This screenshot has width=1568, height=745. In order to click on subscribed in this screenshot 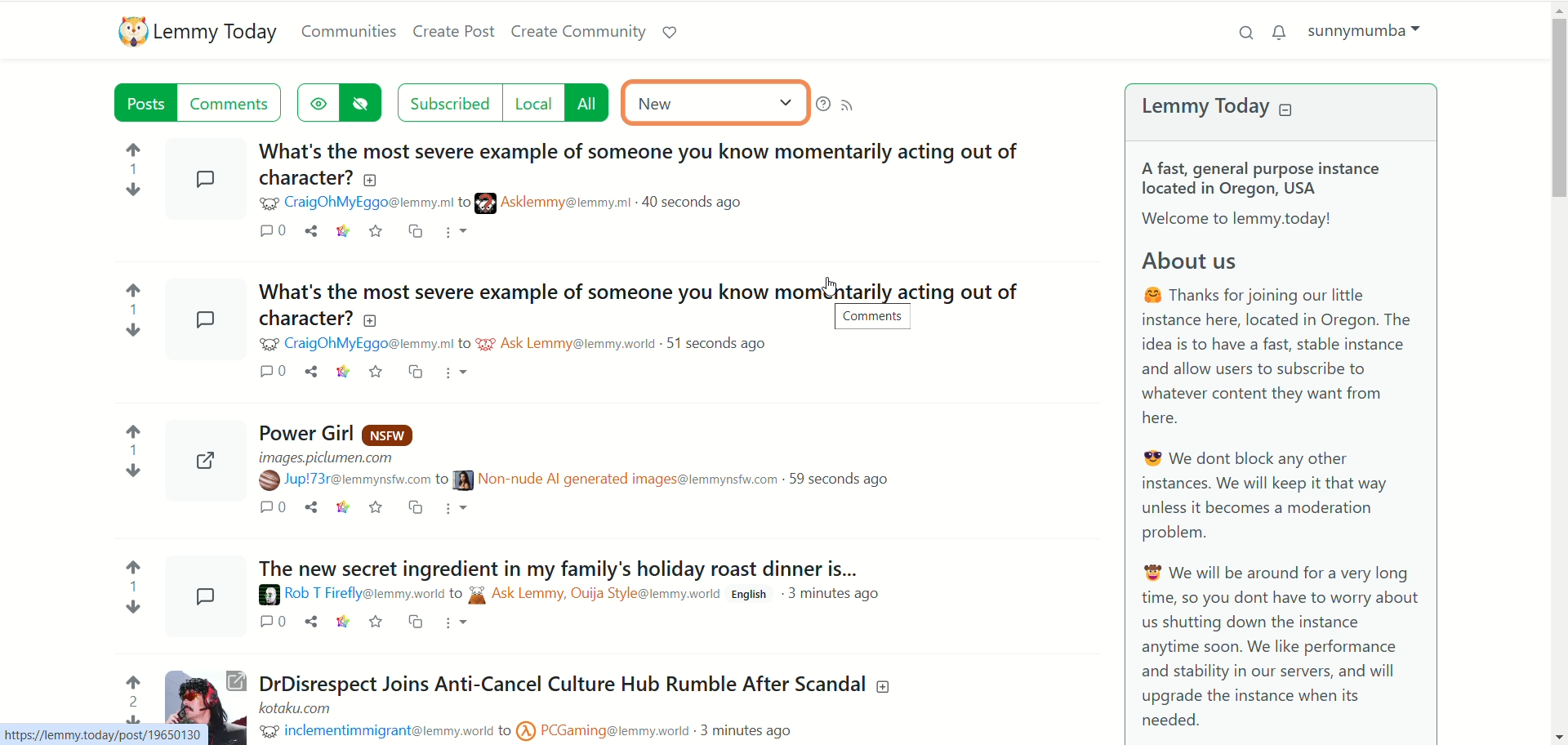, I will do `click(448, 102)`.